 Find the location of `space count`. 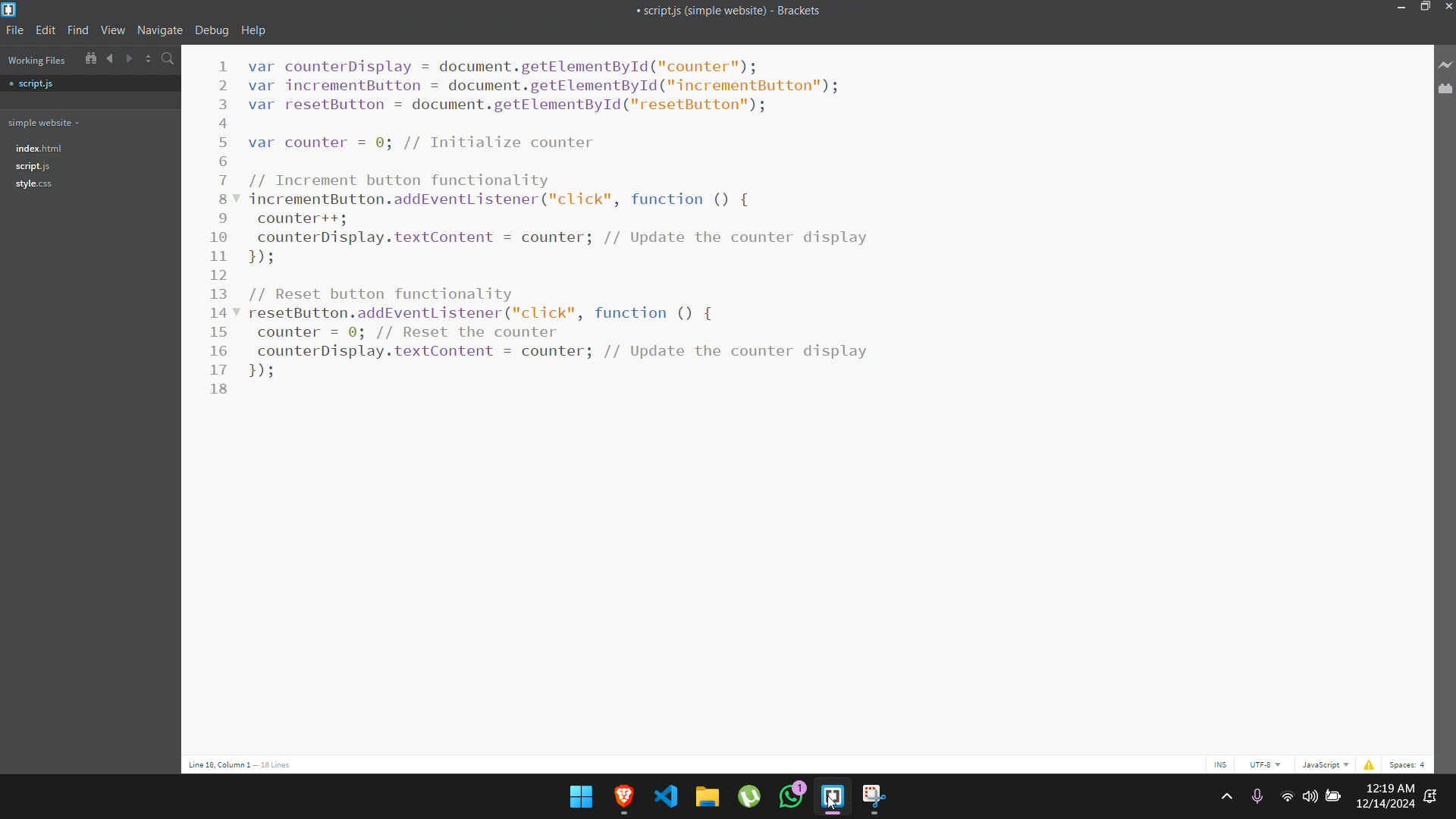

space count is located at coordinates (1411, 764).